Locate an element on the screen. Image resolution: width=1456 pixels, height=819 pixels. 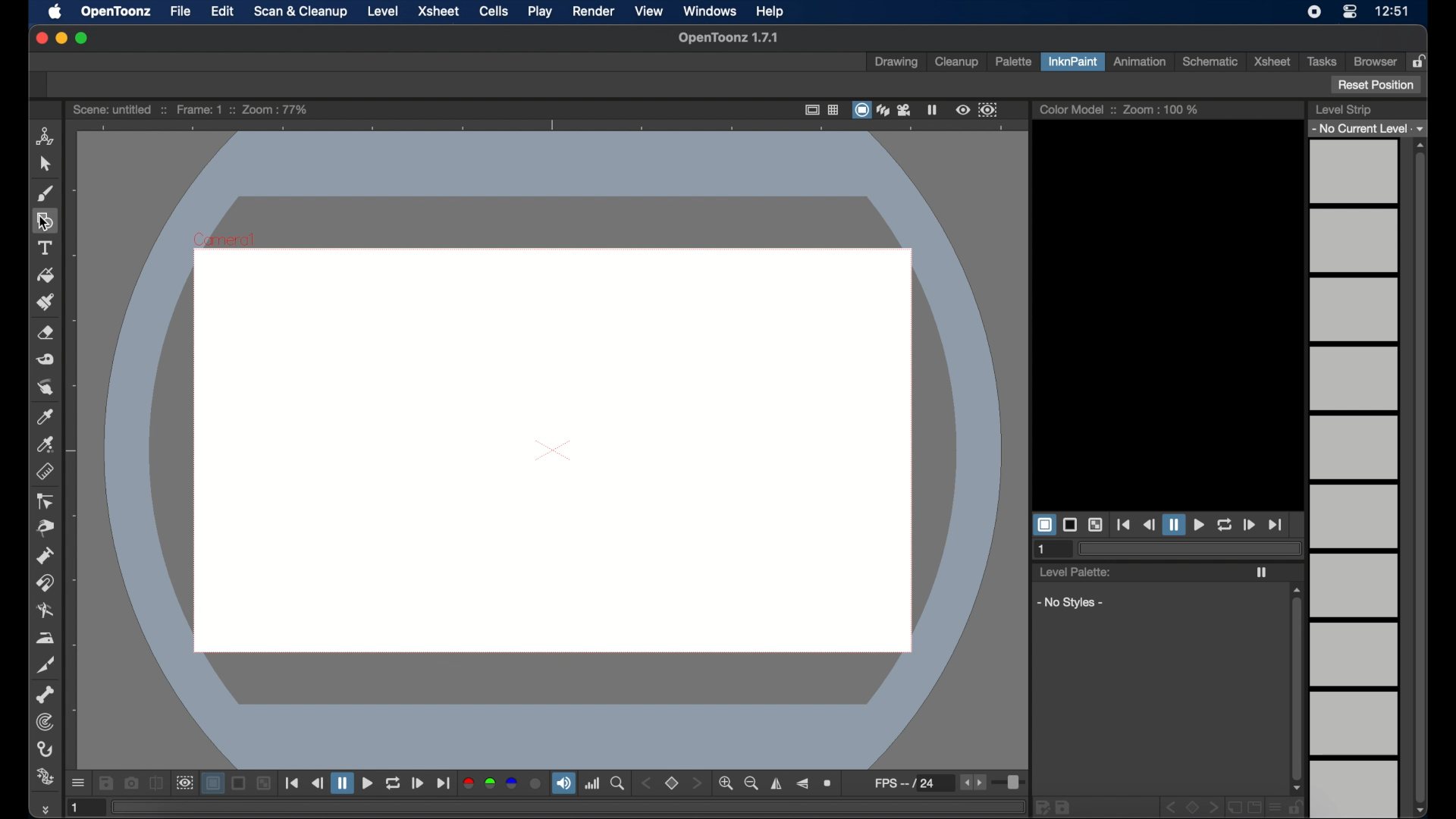
jump to start is located at coordinates (1124, 525).